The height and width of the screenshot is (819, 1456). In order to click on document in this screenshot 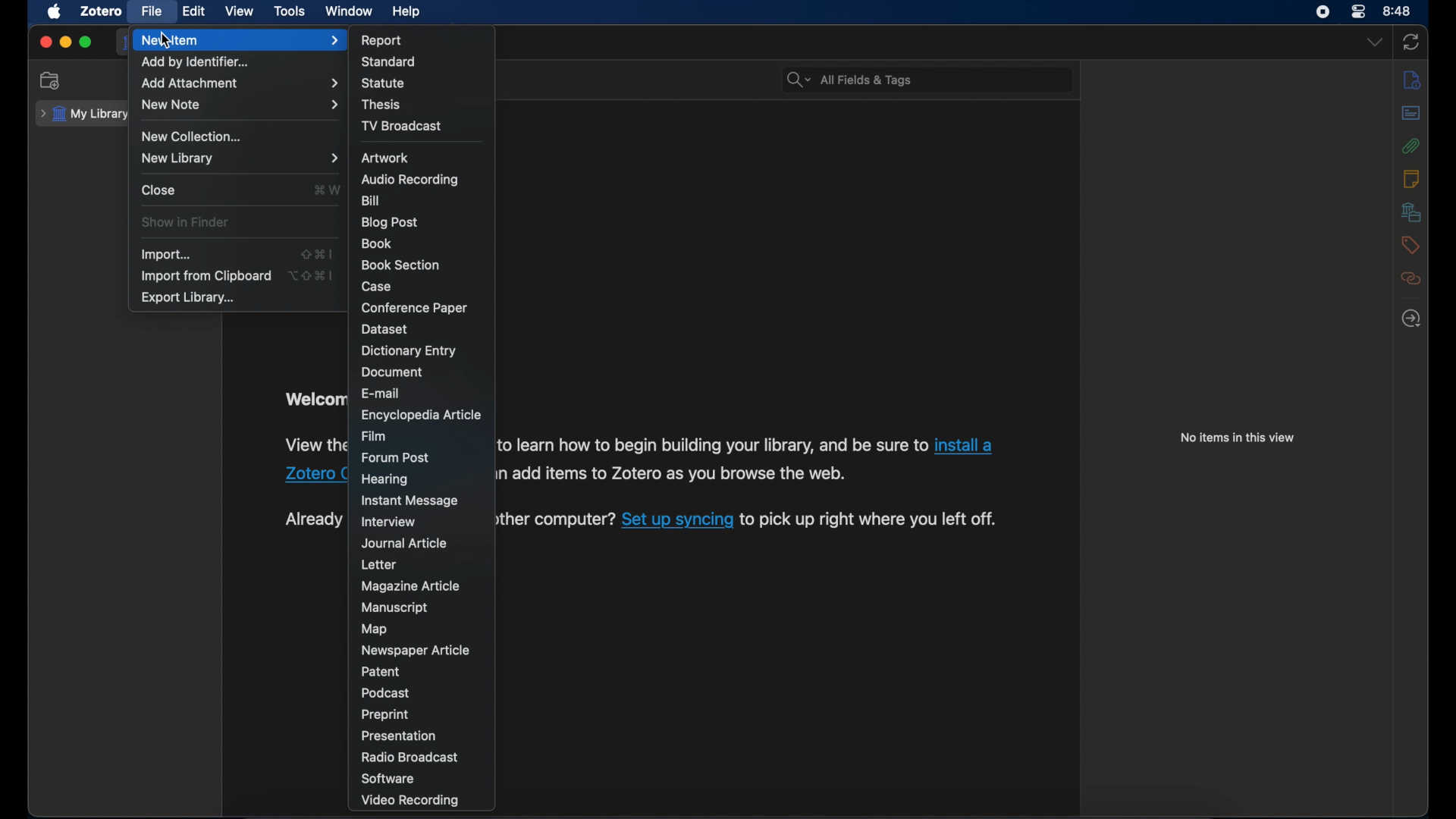, I will do `click(394, 372)`.